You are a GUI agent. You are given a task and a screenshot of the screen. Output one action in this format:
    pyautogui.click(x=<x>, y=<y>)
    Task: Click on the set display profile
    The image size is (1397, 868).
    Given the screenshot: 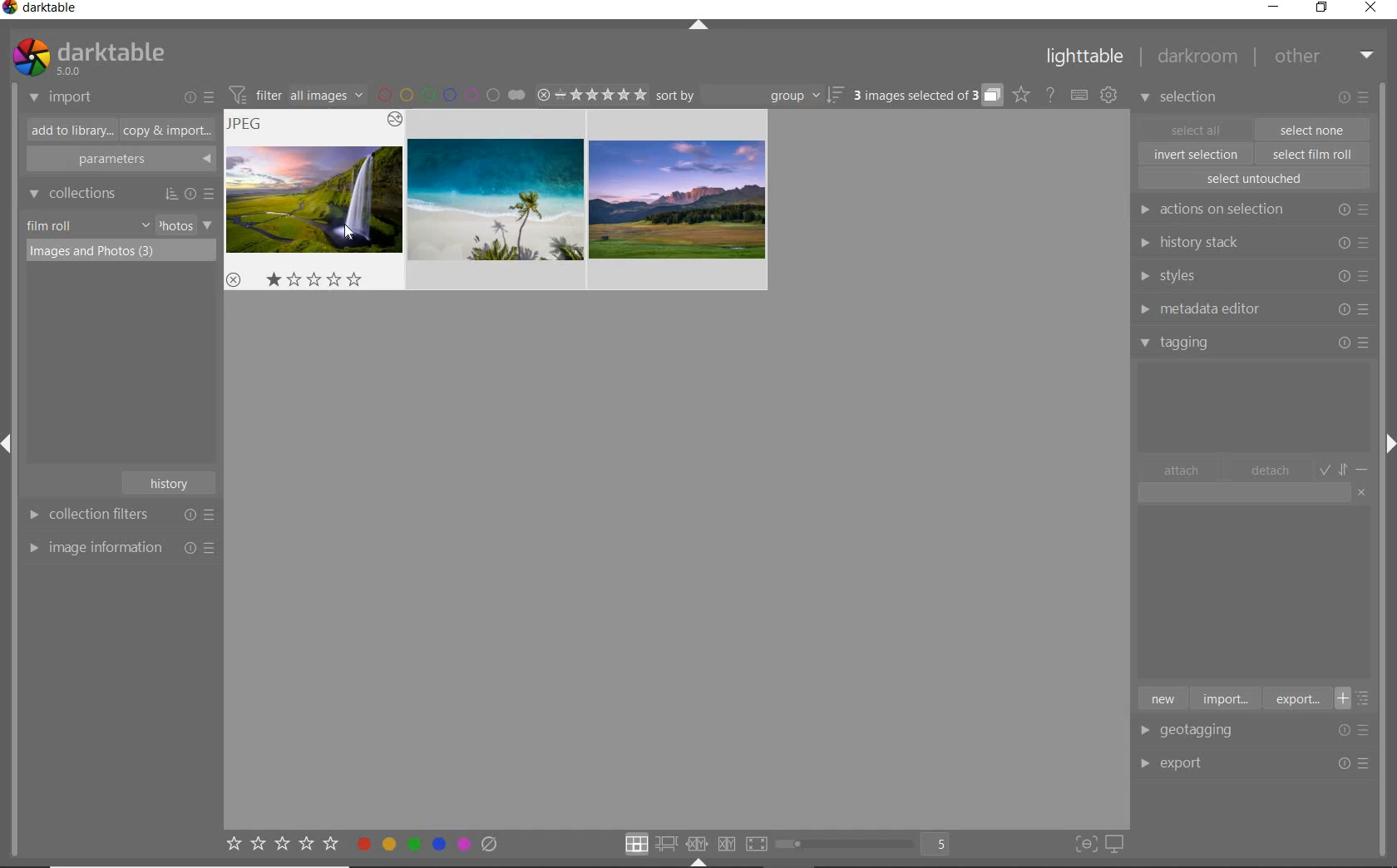 What is the action you would take?
    pyautogui.click(x=1114, y=845)
    